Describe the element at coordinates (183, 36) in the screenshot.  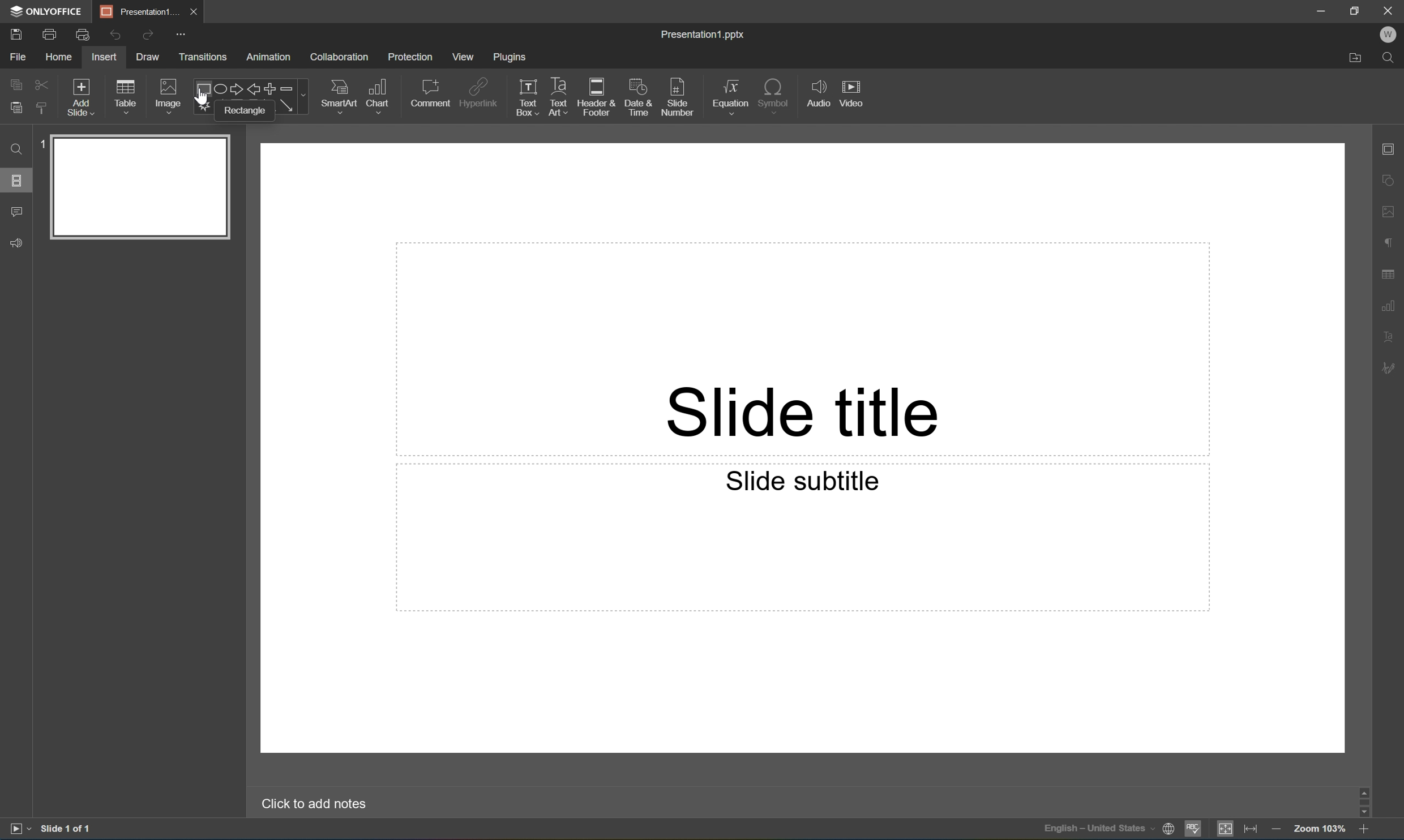
I see `Customize quick access toolbar` at that location.